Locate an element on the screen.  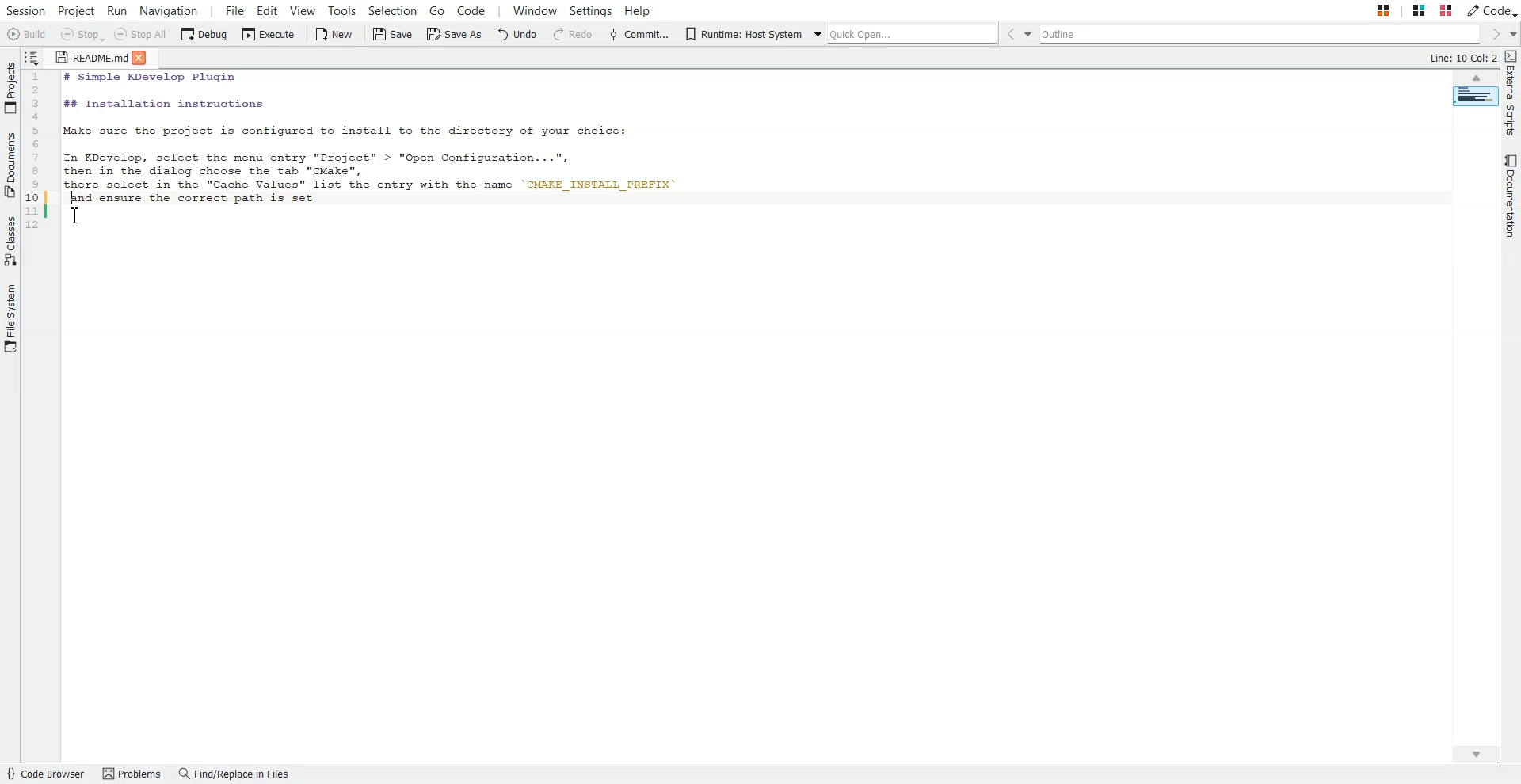
External Scripts is located at coordinates (1511, 93).